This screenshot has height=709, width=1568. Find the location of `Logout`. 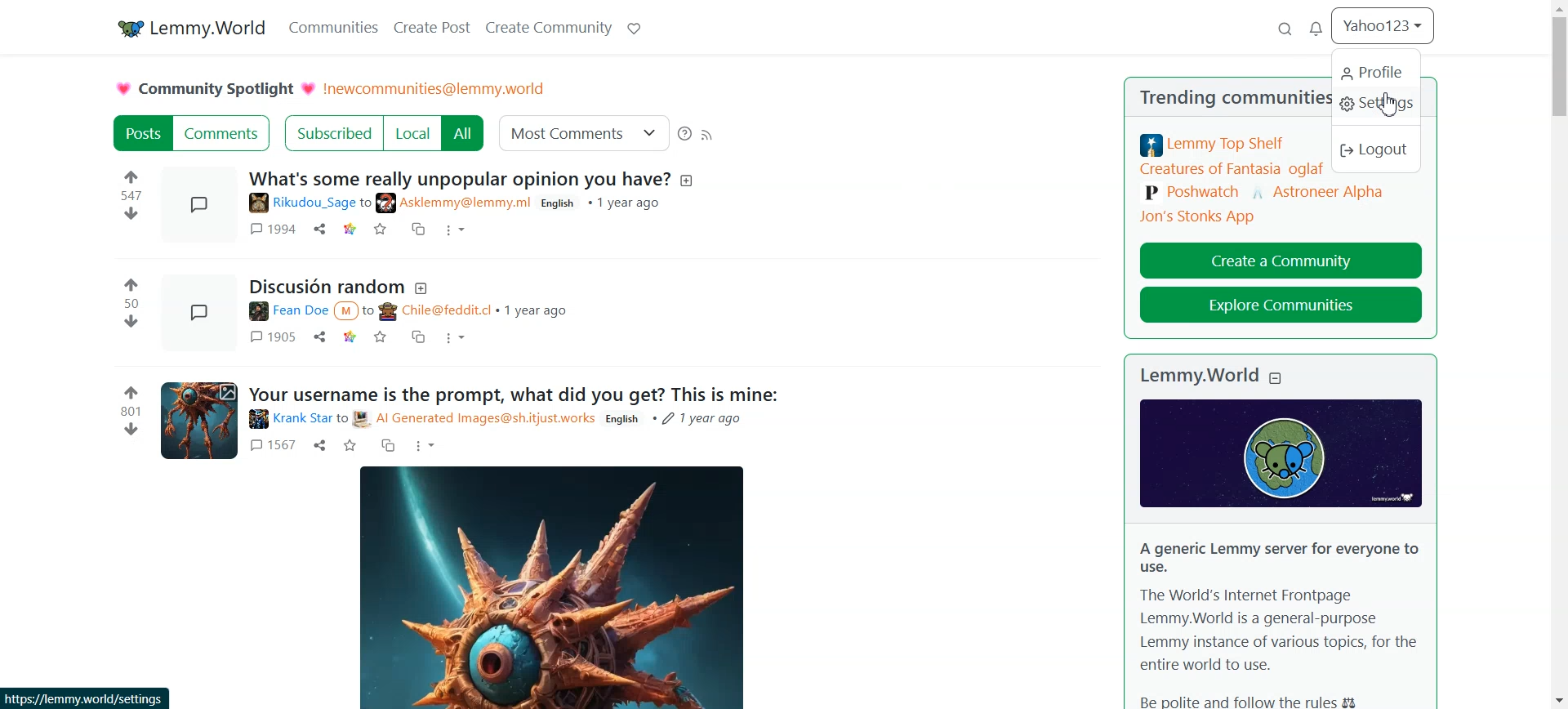

Logout is located at coordinates (1377, 152).